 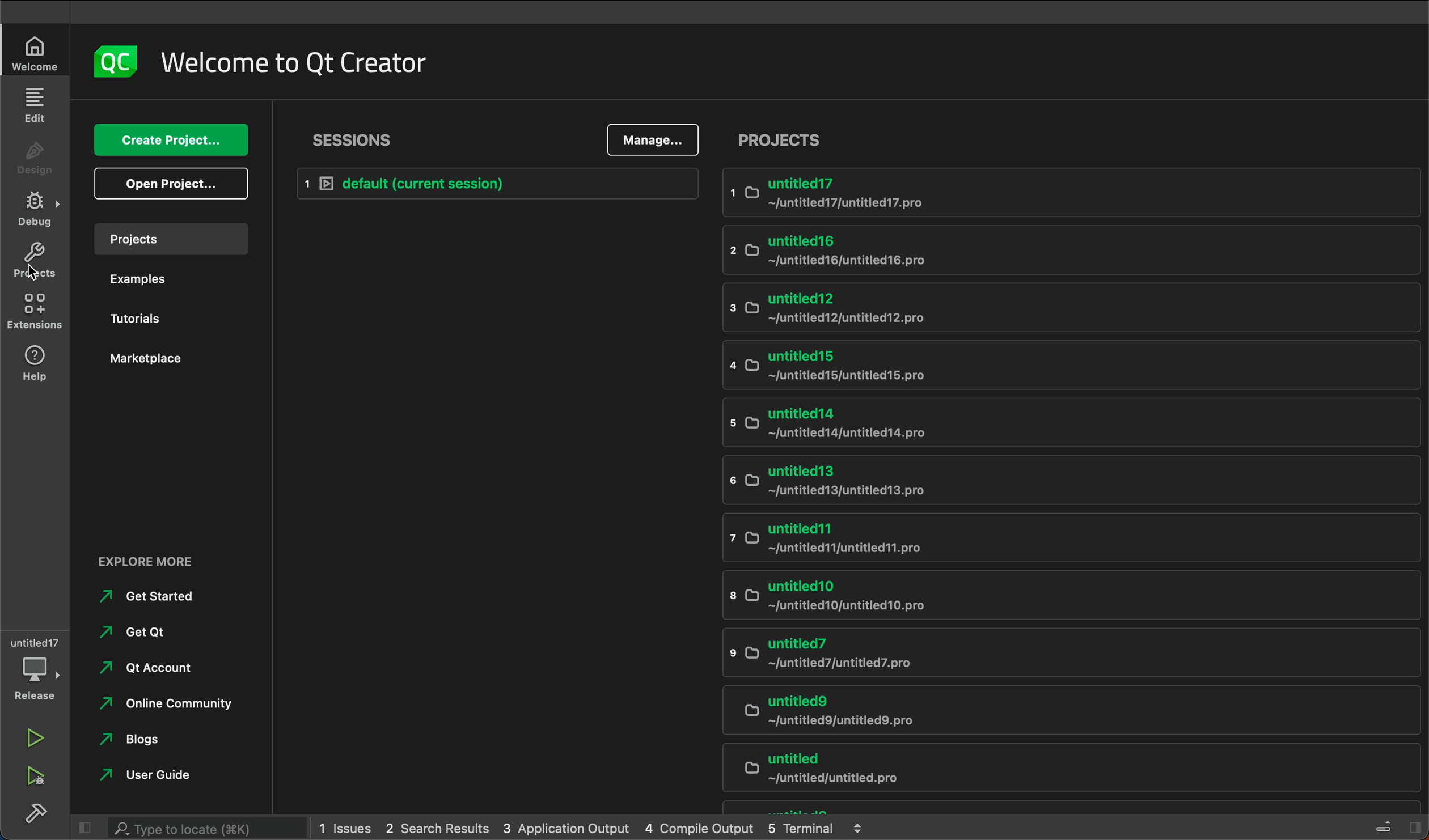 I want to click on examples, so click(x=168, y=279).